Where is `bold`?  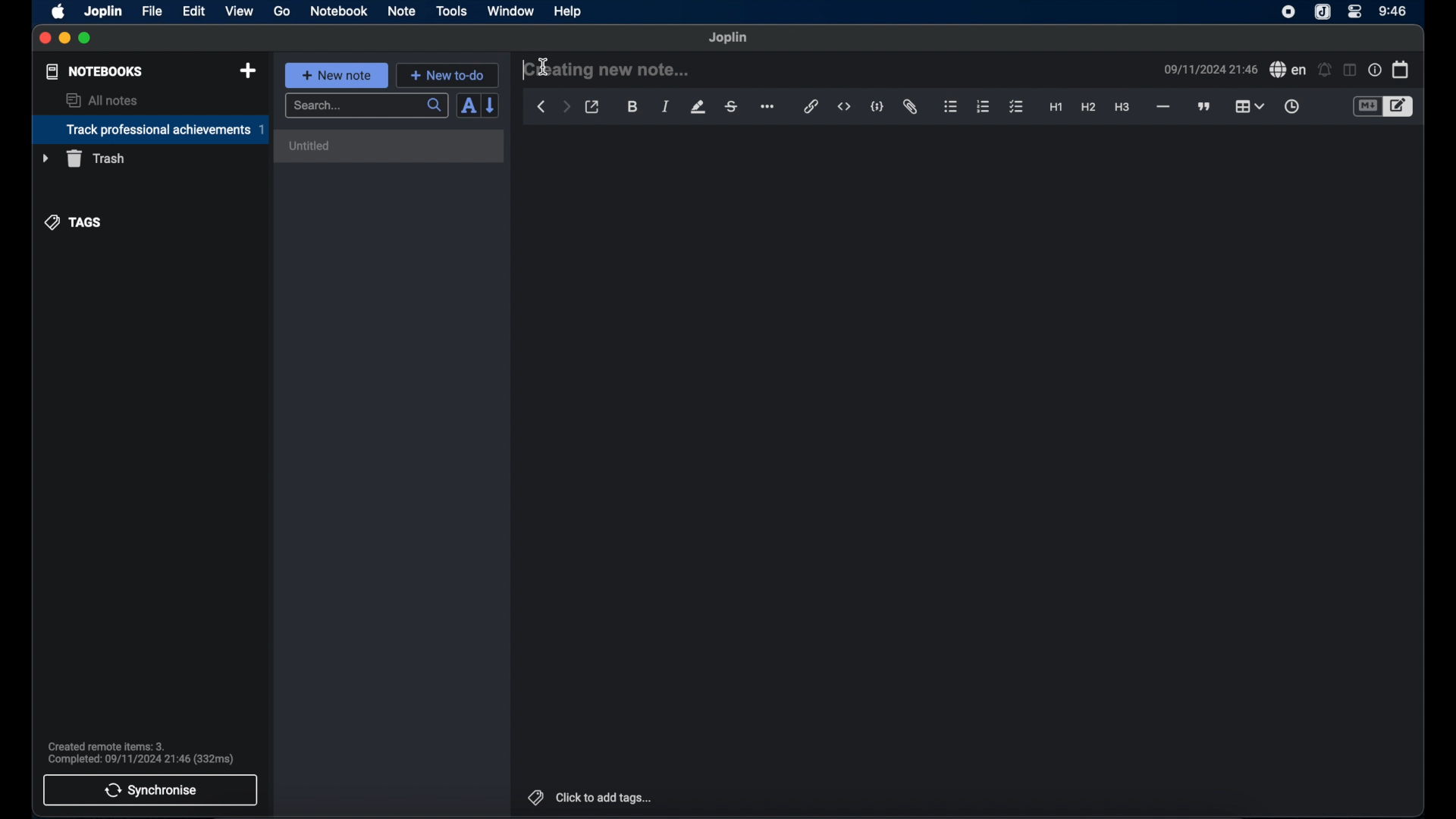
bold is located at coordinates (632, 107).